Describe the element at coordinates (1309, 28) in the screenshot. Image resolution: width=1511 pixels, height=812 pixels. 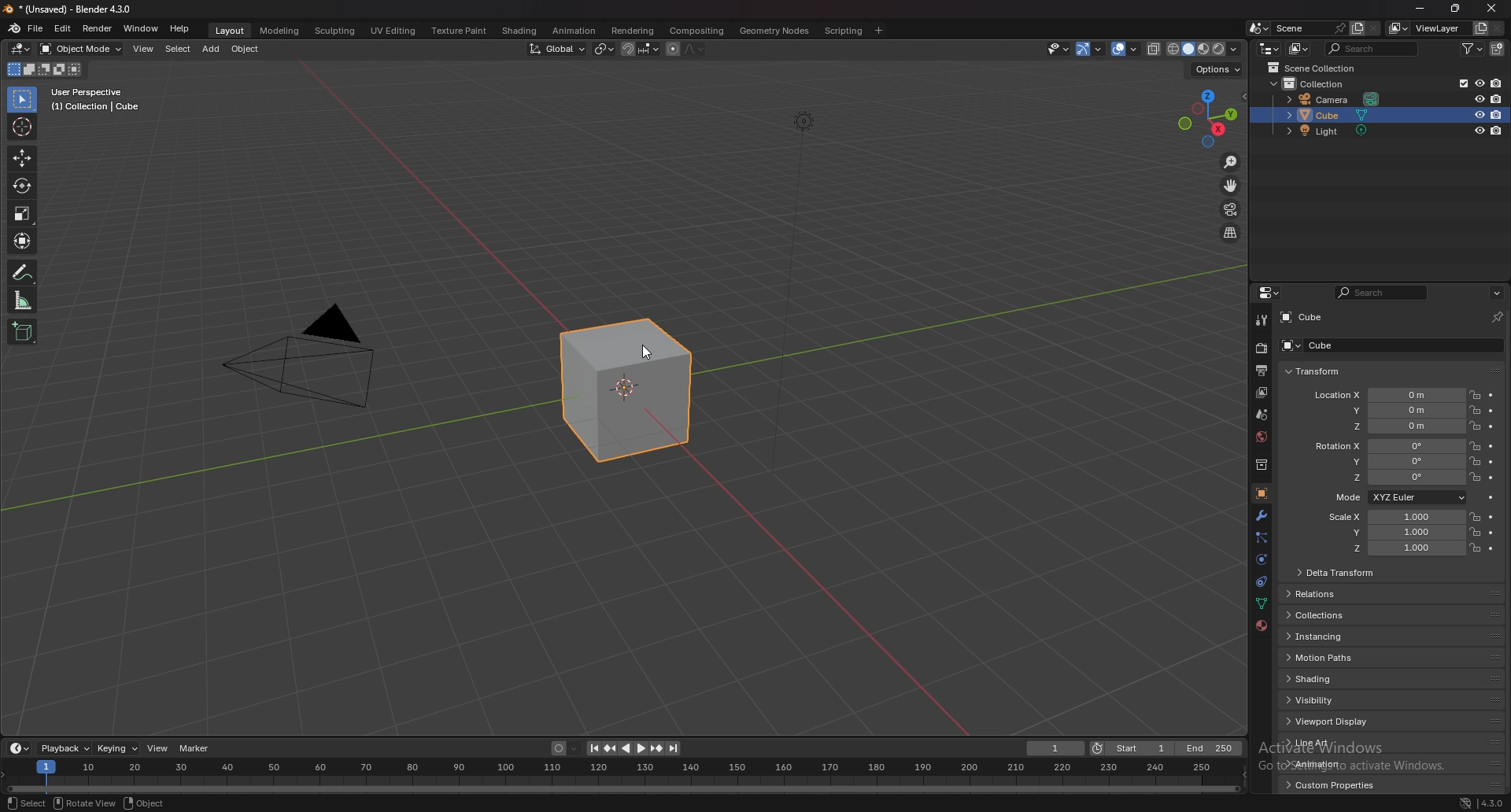
I see `scene` at that location.